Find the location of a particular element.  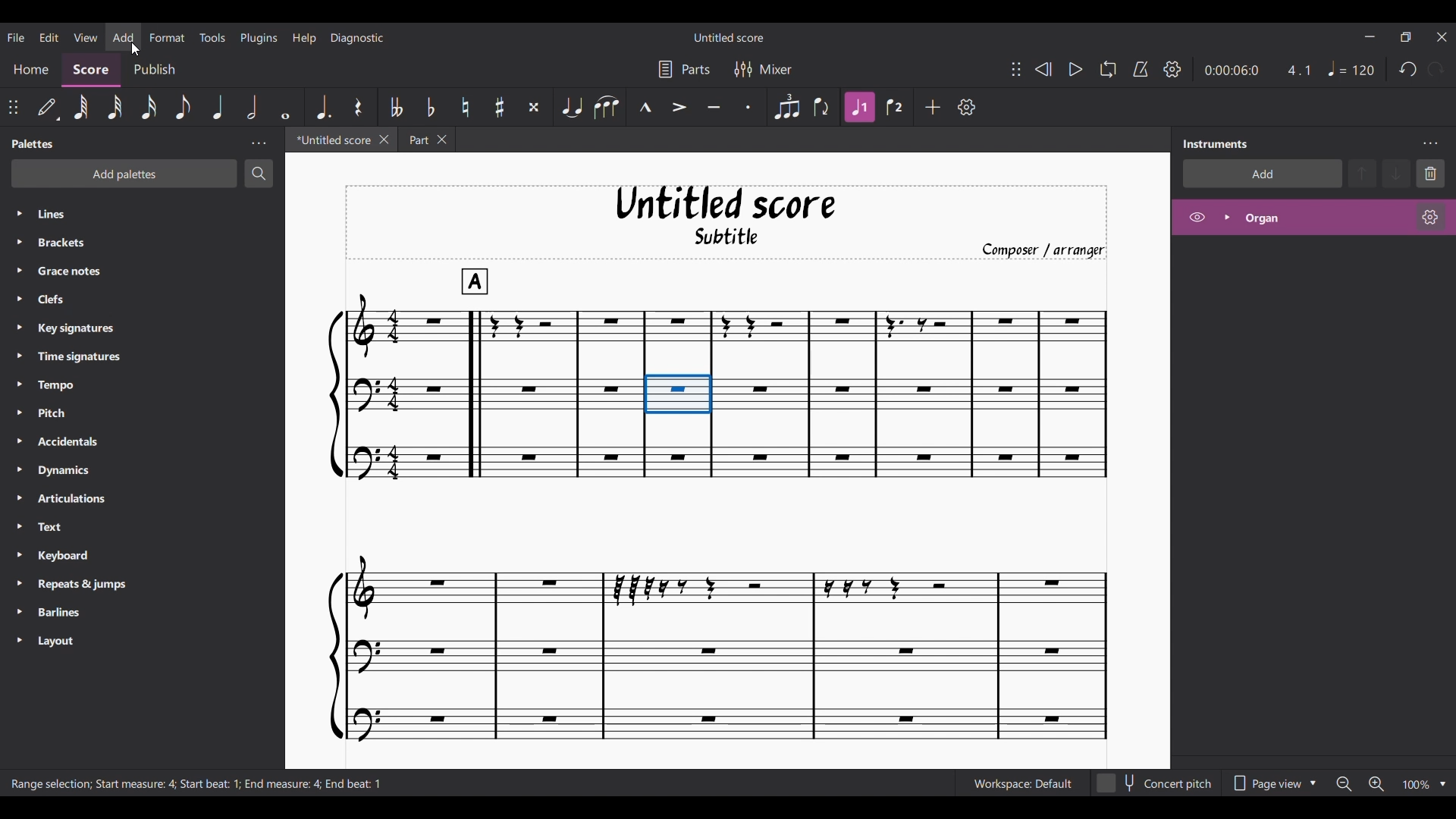

Move up is located at coordinates (1362, 173).